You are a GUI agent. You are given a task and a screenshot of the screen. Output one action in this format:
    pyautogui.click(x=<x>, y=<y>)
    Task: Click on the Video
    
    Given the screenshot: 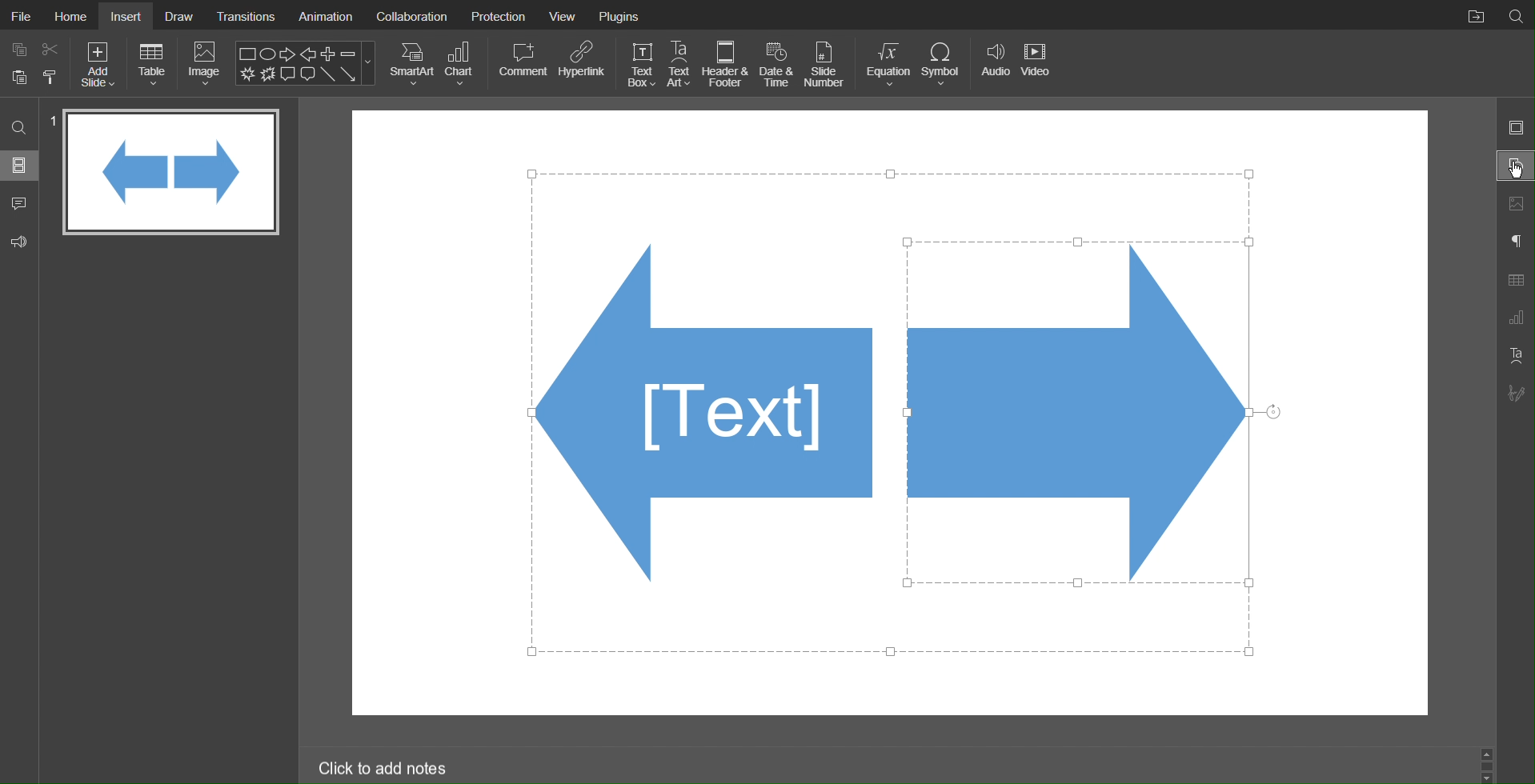 What is the action you would take?
    pyautogui.click(x=1038, y=64)
    